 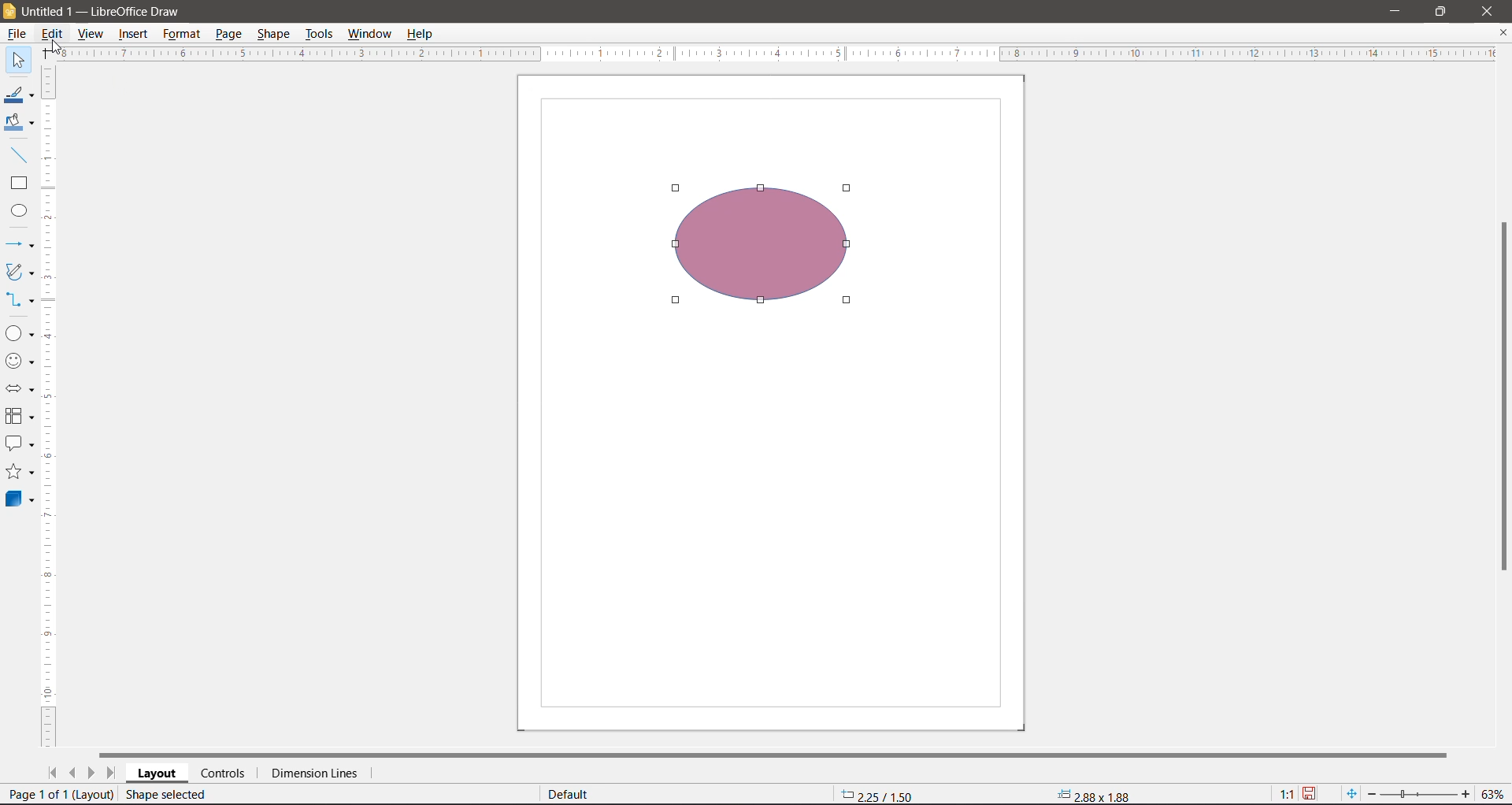 What do you see at coordinates (20, 93) in the screenshot?
I see `Line Color` at bounding box center [20, 93].